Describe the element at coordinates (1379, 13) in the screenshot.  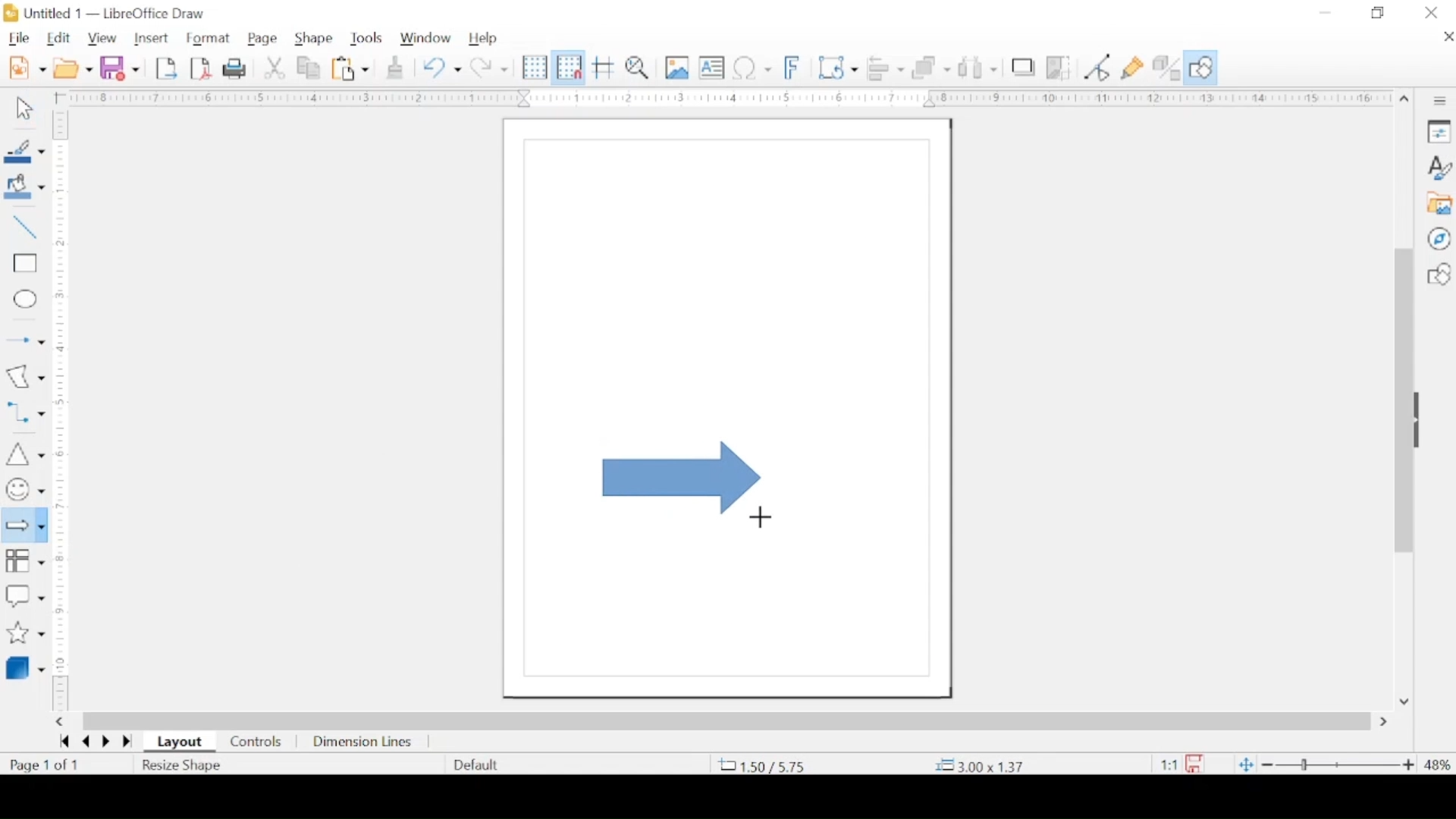
I see `restore down` at that location.